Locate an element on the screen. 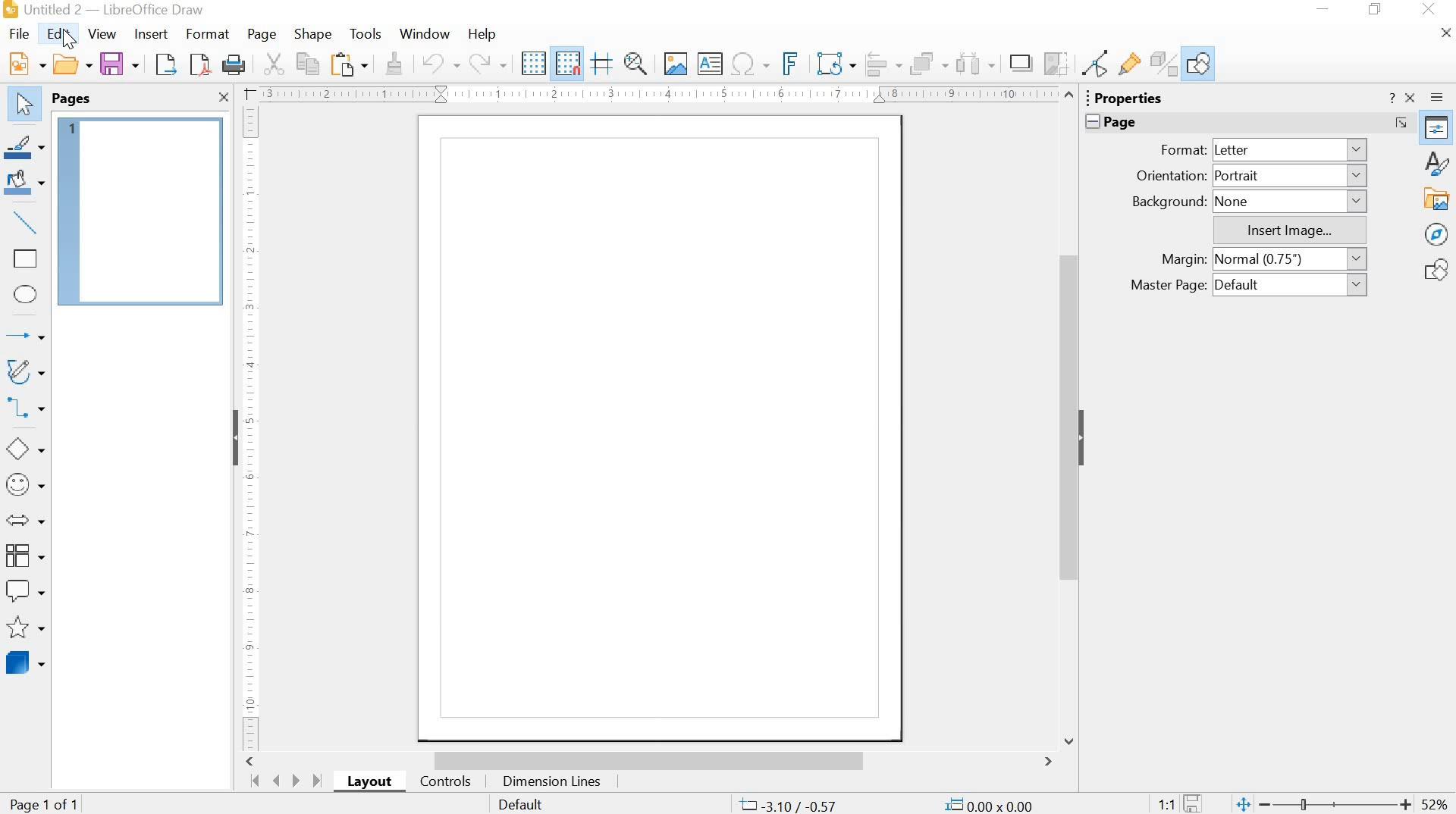 The height and width of the screenshot is (814, 1456). Shadow is located at coordinates (1019, 62).